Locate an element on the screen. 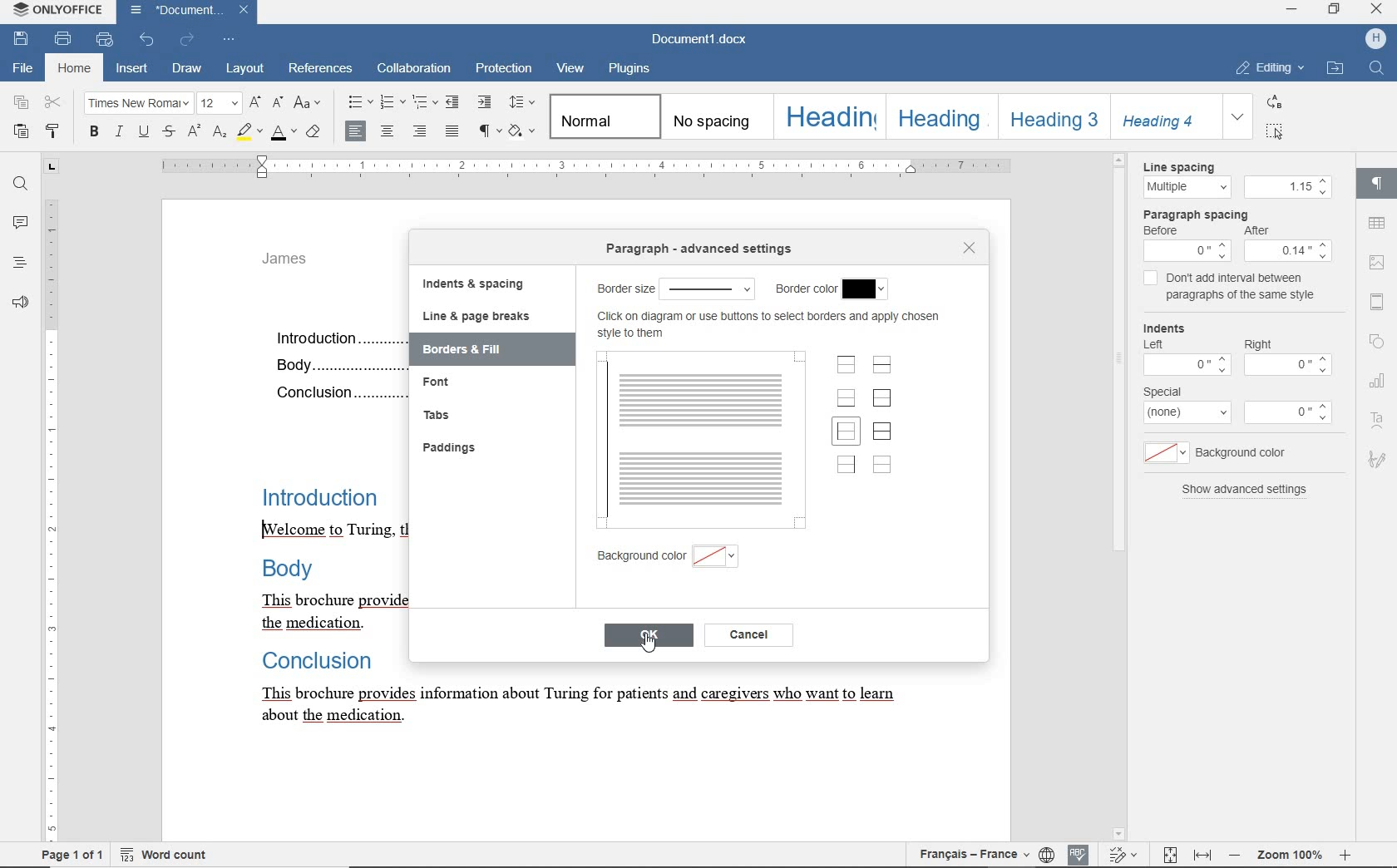 The width and height of the screenshot is (1397, 868). border options is located at coordinates (709, 289).